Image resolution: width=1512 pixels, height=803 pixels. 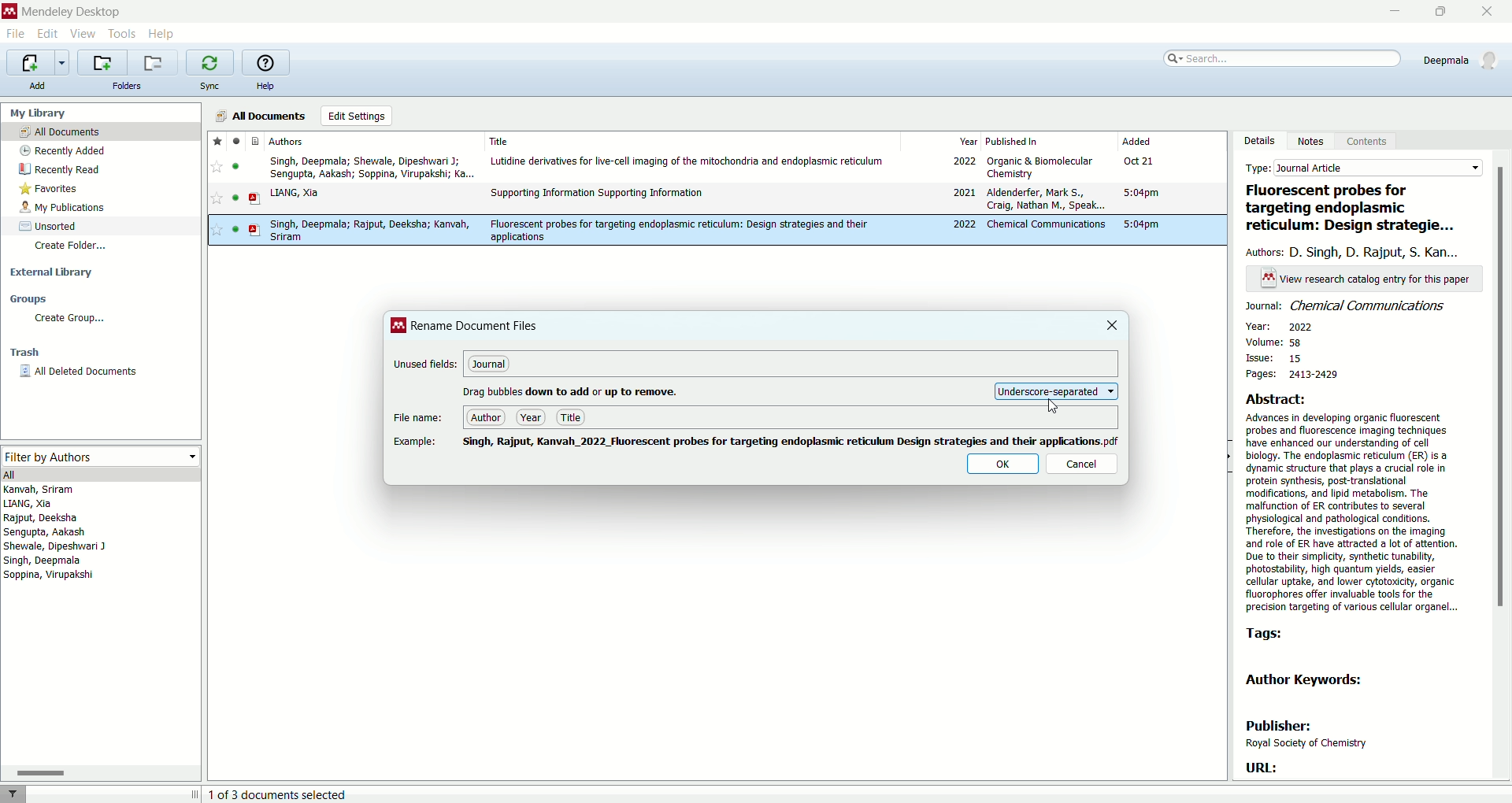 What do you see at coordinates (212, 84) in the screenshot?
I see `sync` at bounding box center [212, 84].